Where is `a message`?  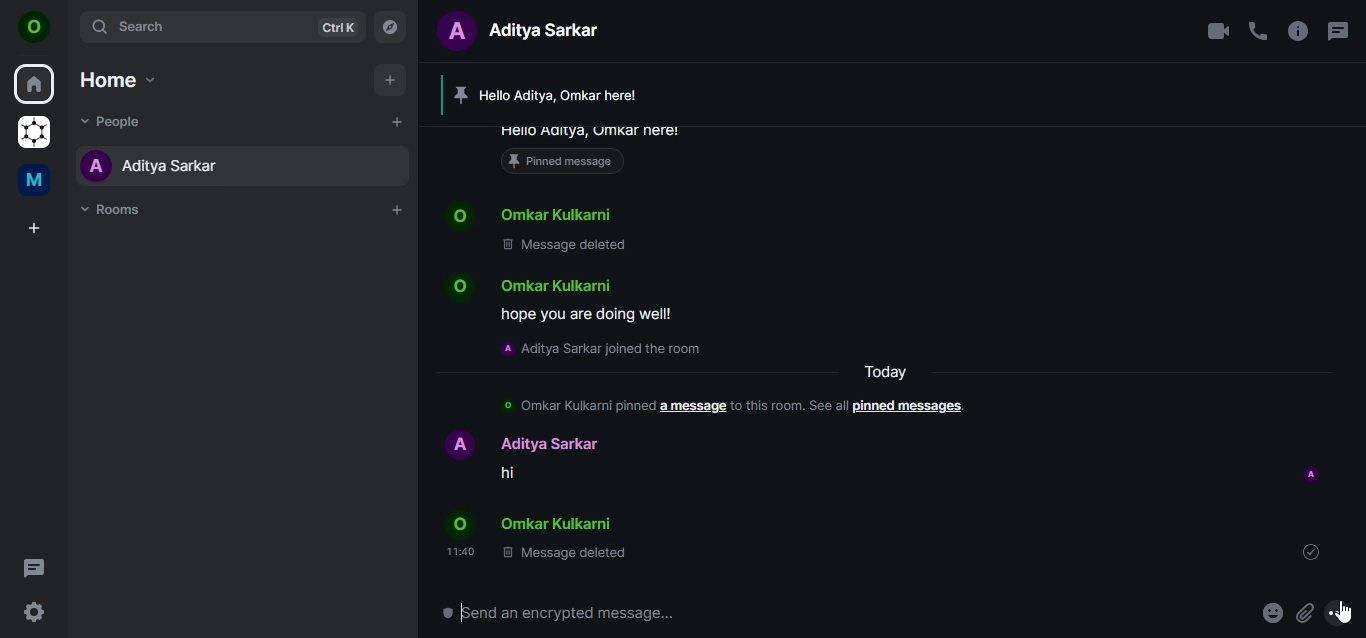 a message is located at coordinates (692, 404).